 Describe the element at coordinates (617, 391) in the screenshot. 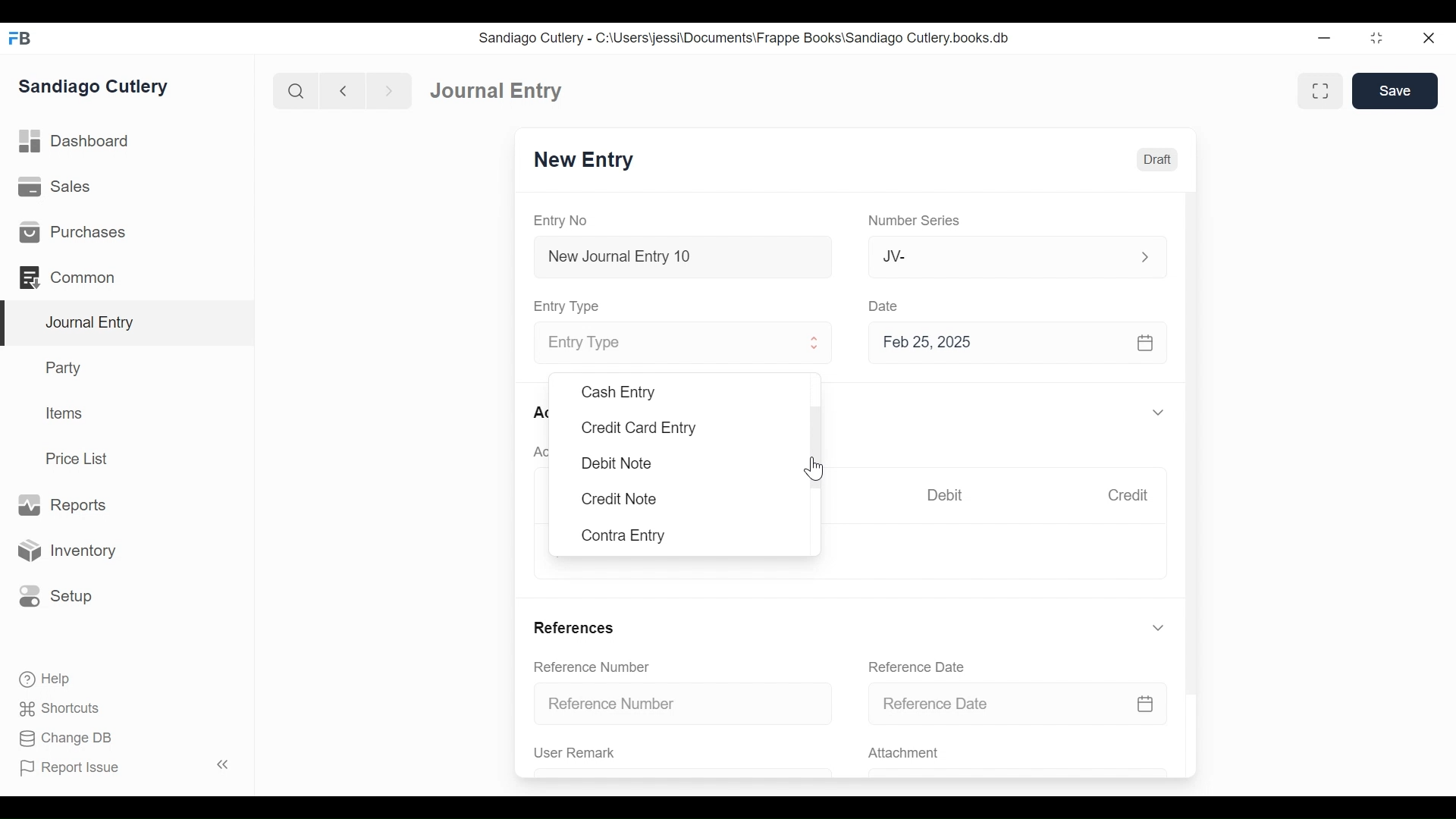

I see `Cash Entry` at that location.